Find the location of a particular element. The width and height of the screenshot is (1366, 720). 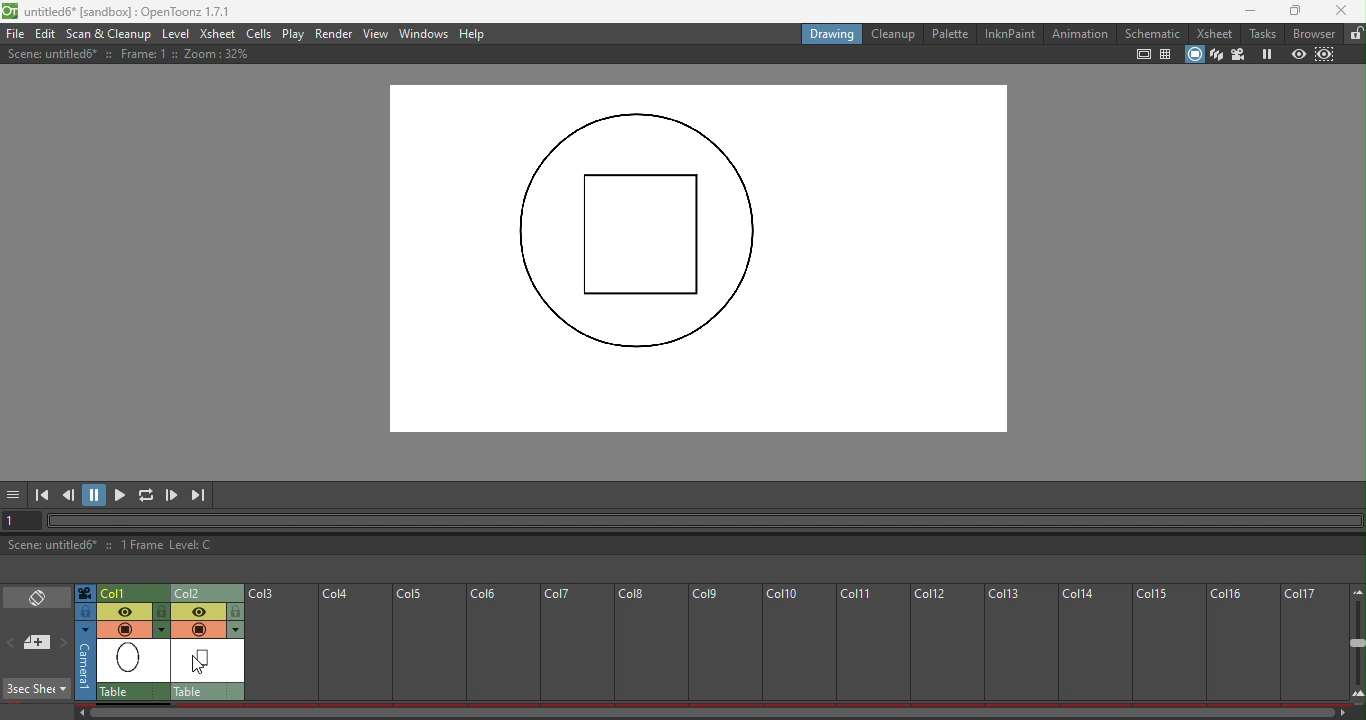

GUI show/hide is located at coordinates (16, 495).